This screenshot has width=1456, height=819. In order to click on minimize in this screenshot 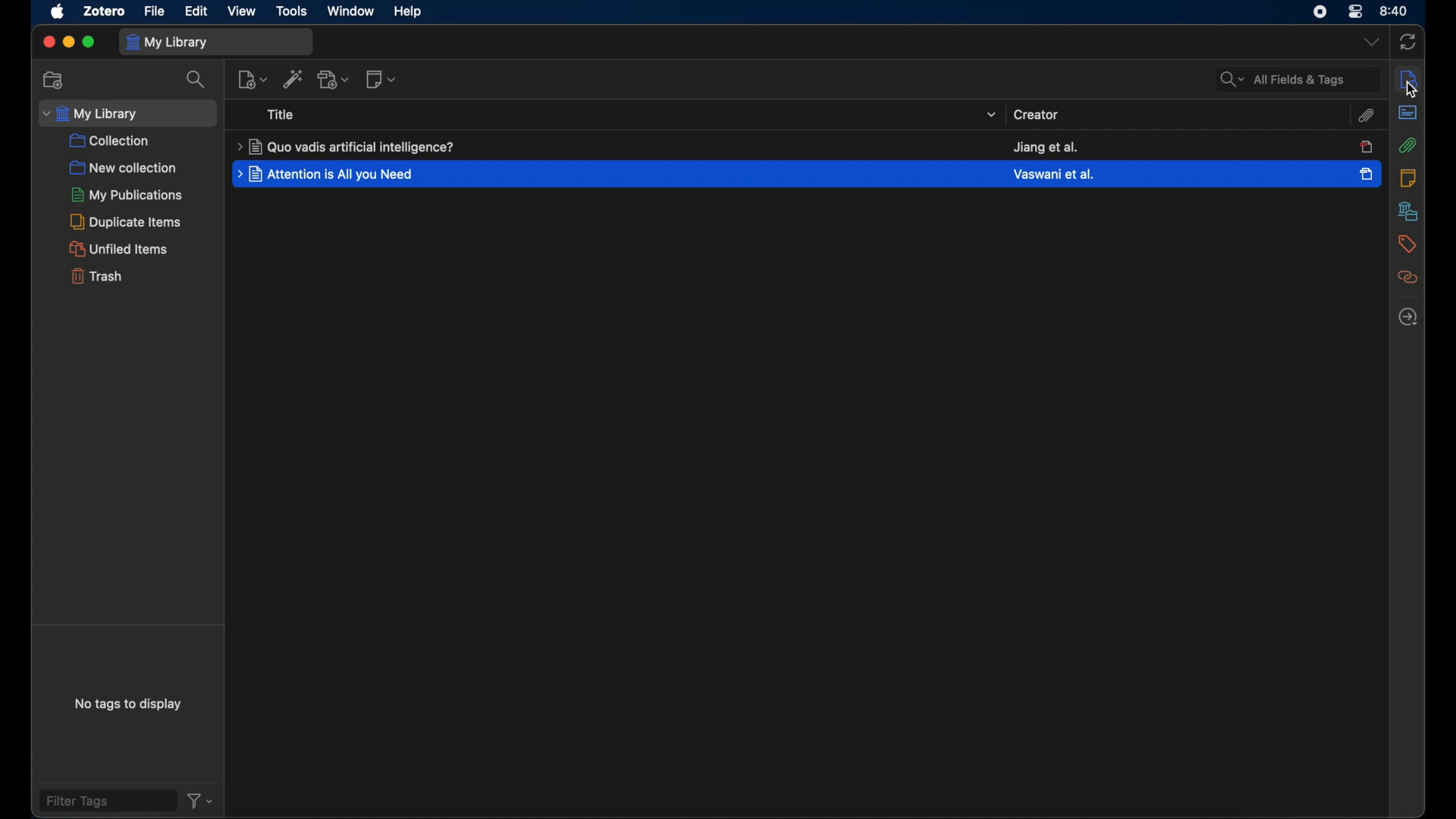, I will do `click(68, 41)`.